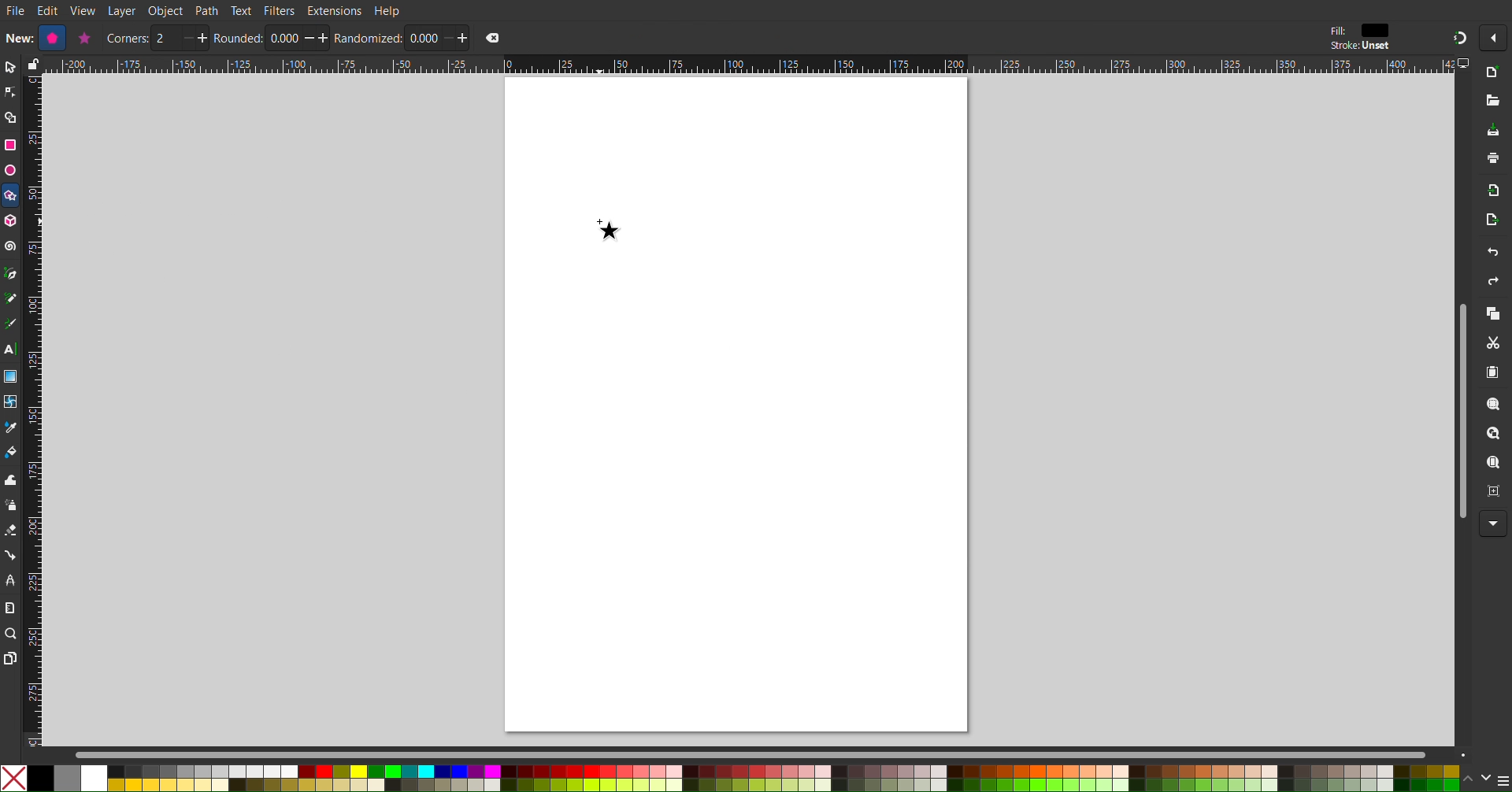 The width and height of the screenshot is (1512, 792). Describe the element at coordinates (493, 38) in the screenshot. I see `Close` at that location.